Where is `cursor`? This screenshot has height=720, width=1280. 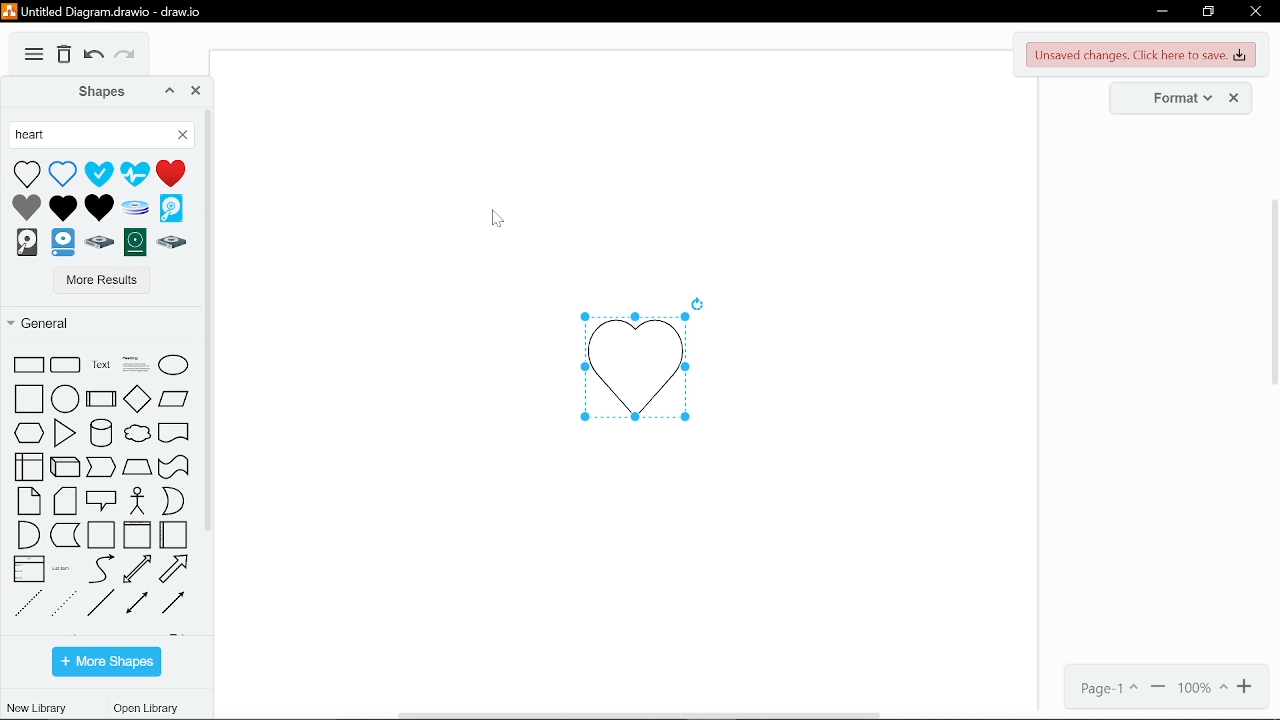
cursor is located at coordinates (494, 220).